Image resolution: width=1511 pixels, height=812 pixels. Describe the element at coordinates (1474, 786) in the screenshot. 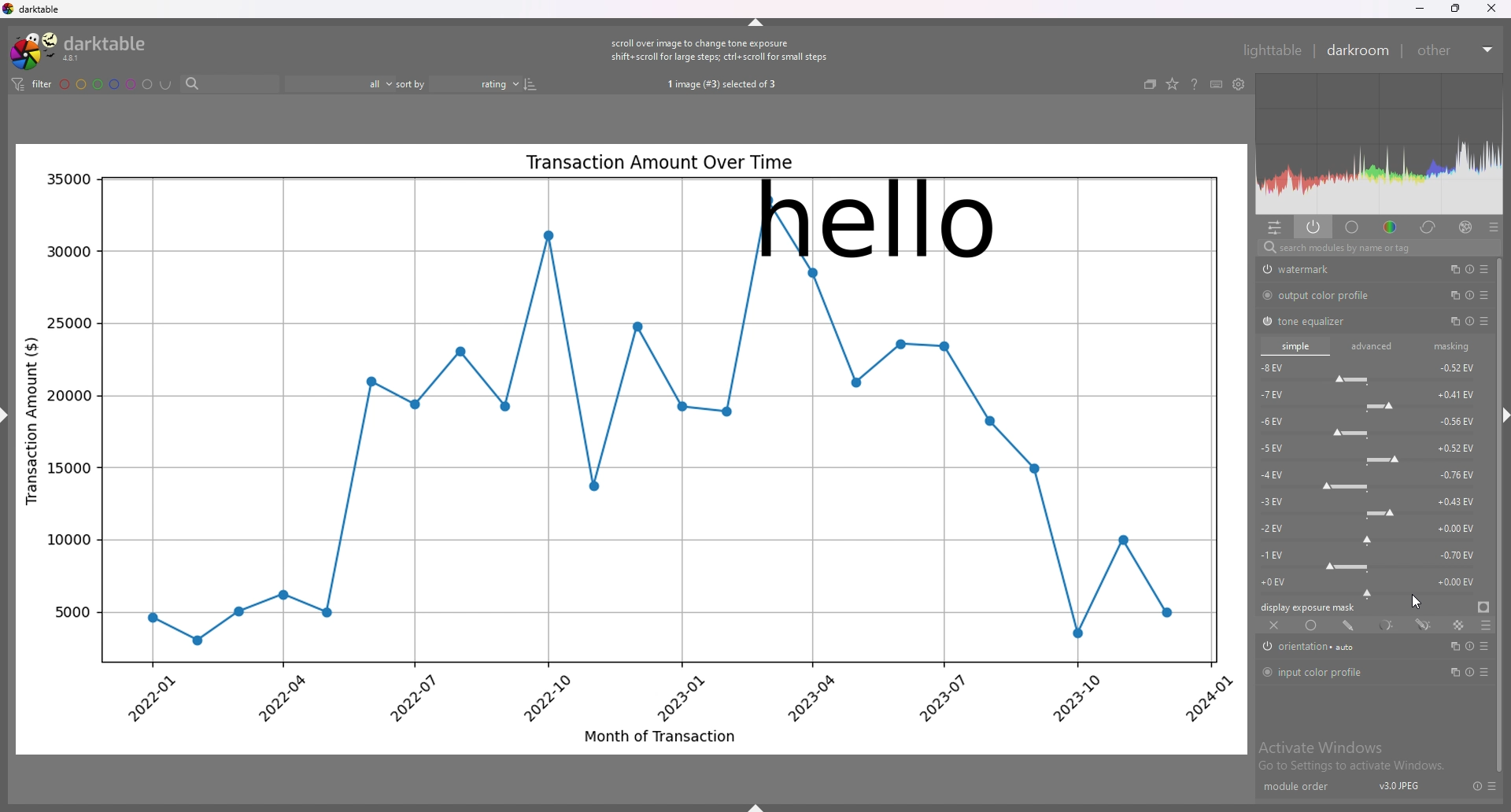

I see `reset` at that location.